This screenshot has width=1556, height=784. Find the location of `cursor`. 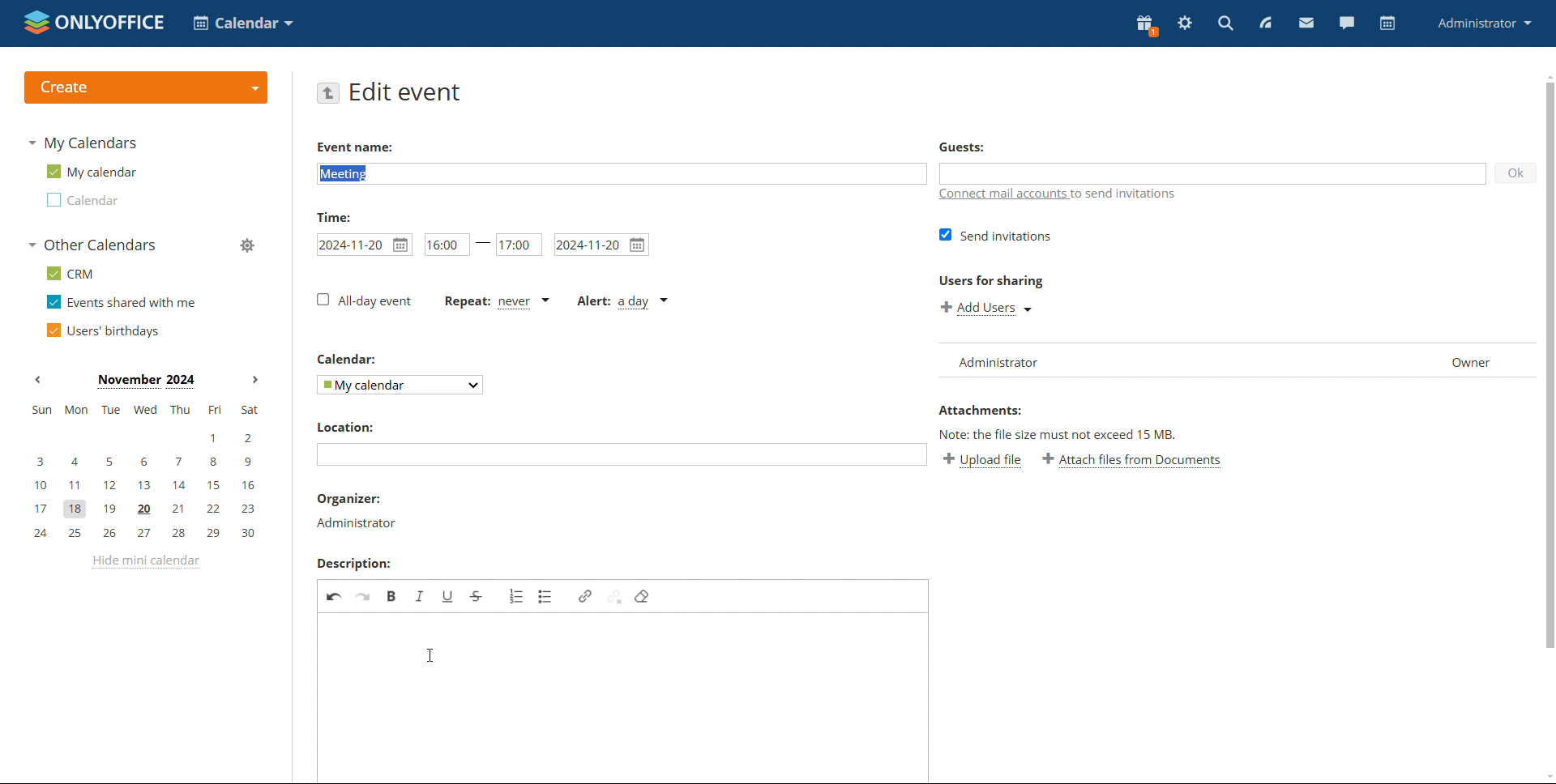

cursor is located at coordinates (429, 655).